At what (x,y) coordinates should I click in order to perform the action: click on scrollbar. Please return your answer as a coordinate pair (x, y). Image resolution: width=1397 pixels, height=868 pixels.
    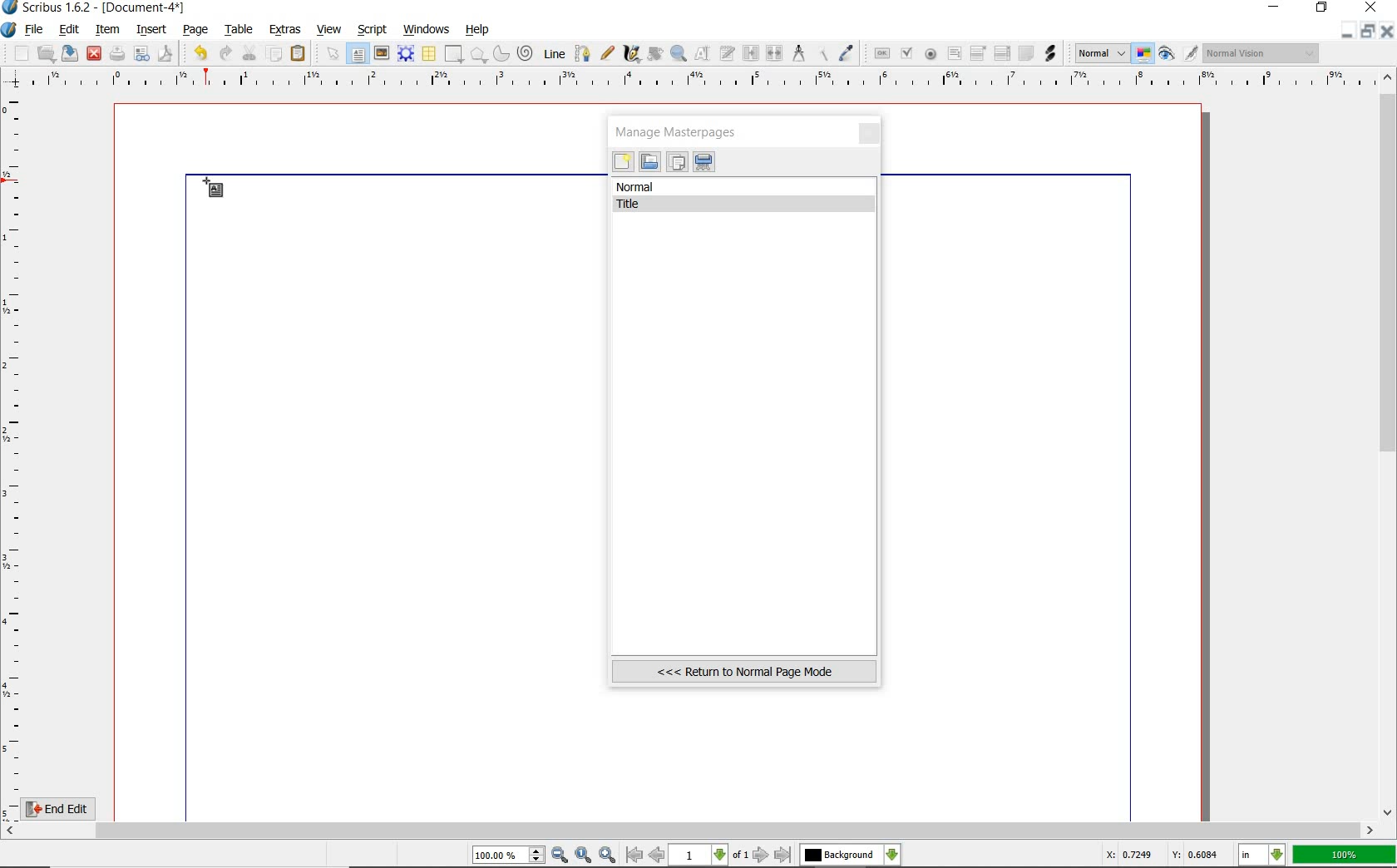
    Looking at the image, I should click on (1389, 443).